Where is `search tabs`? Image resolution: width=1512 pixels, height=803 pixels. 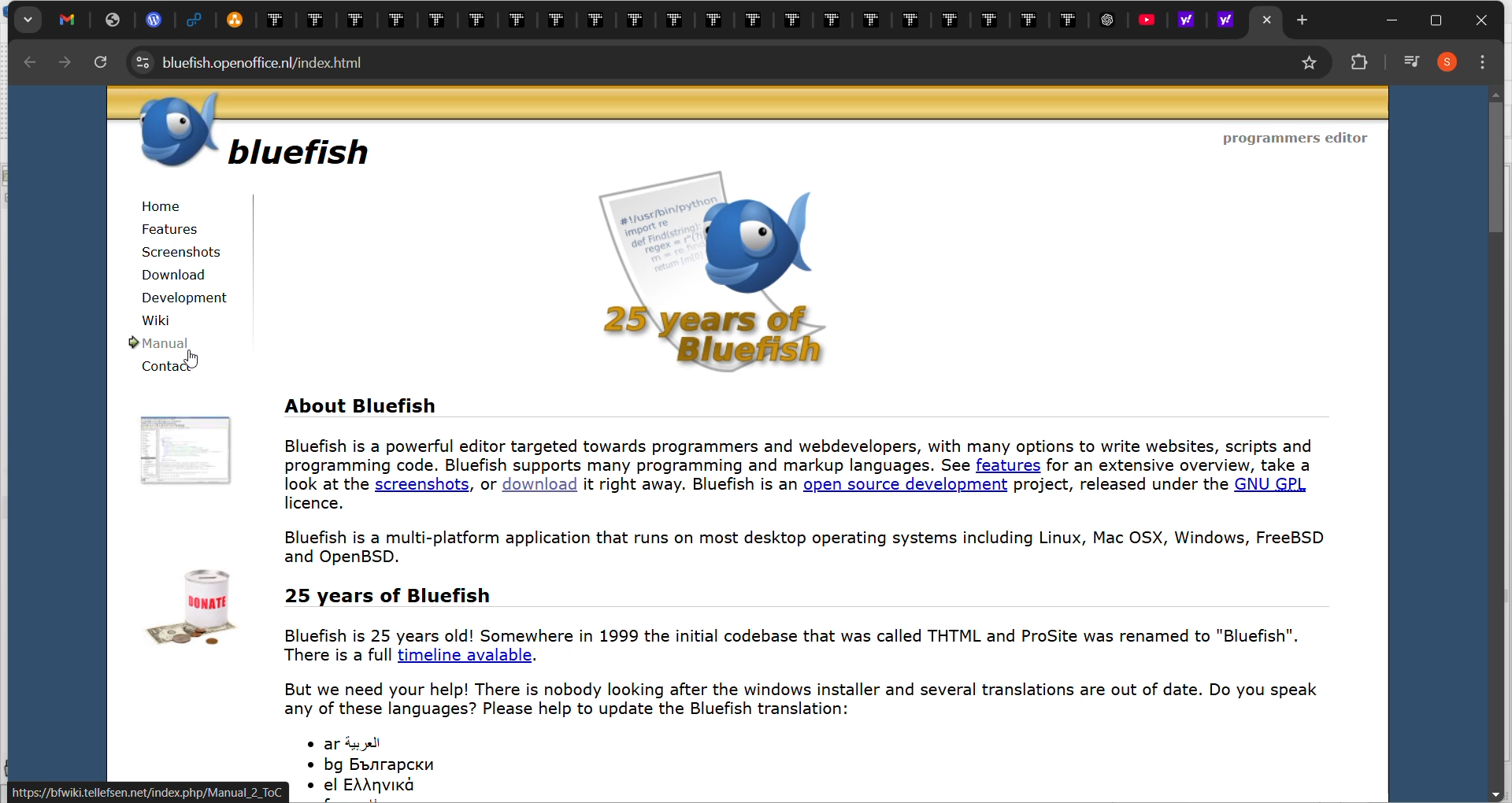 search tabs is located at coordinates (33, 20).